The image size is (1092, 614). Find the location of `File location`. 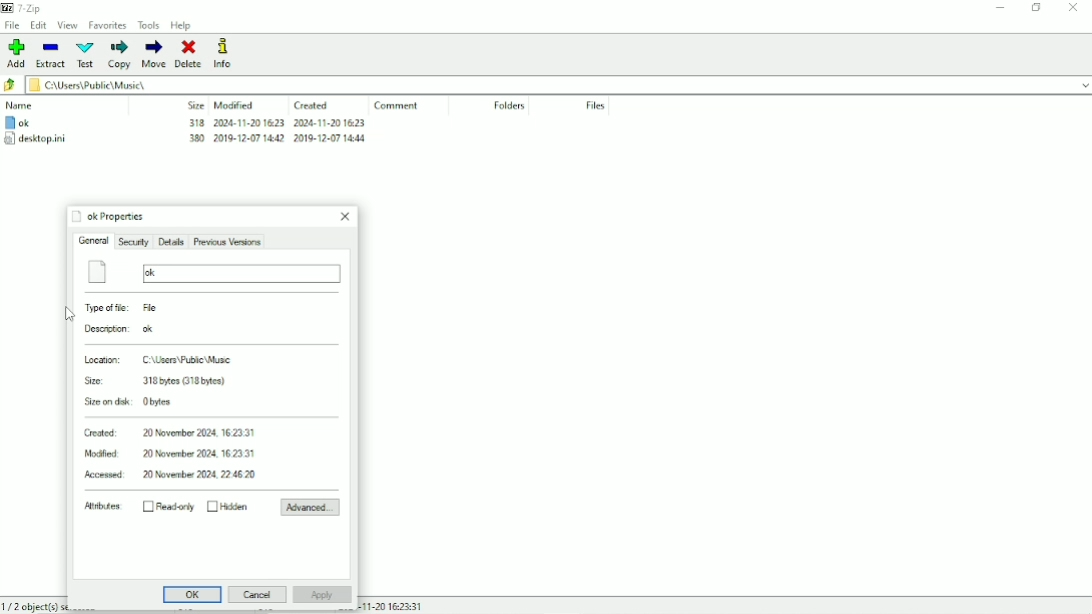

File location is located at coordinates (548, 84).